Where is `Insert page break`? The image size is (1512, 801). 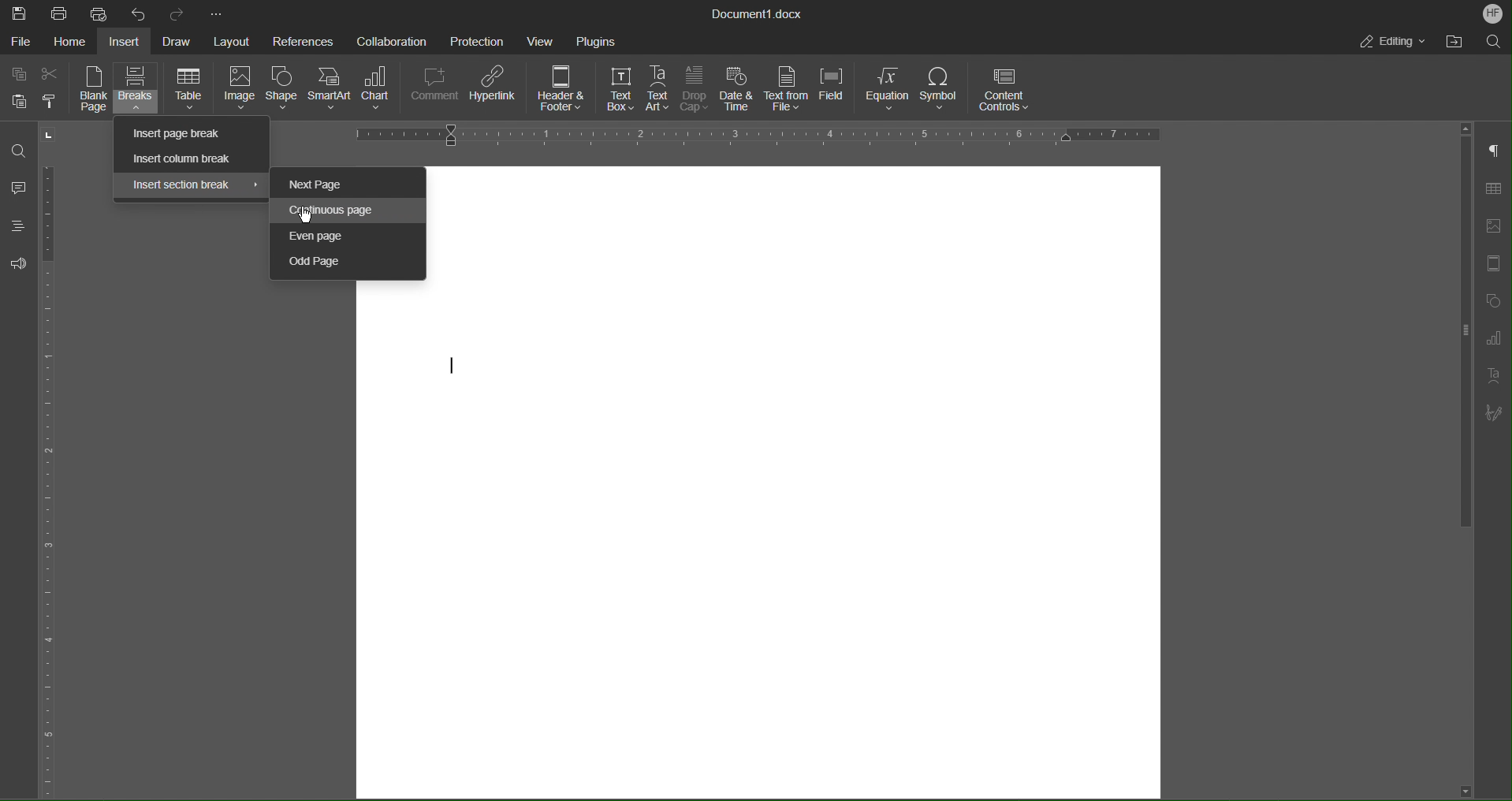 Insert page break is located at coordinates (179, 135).